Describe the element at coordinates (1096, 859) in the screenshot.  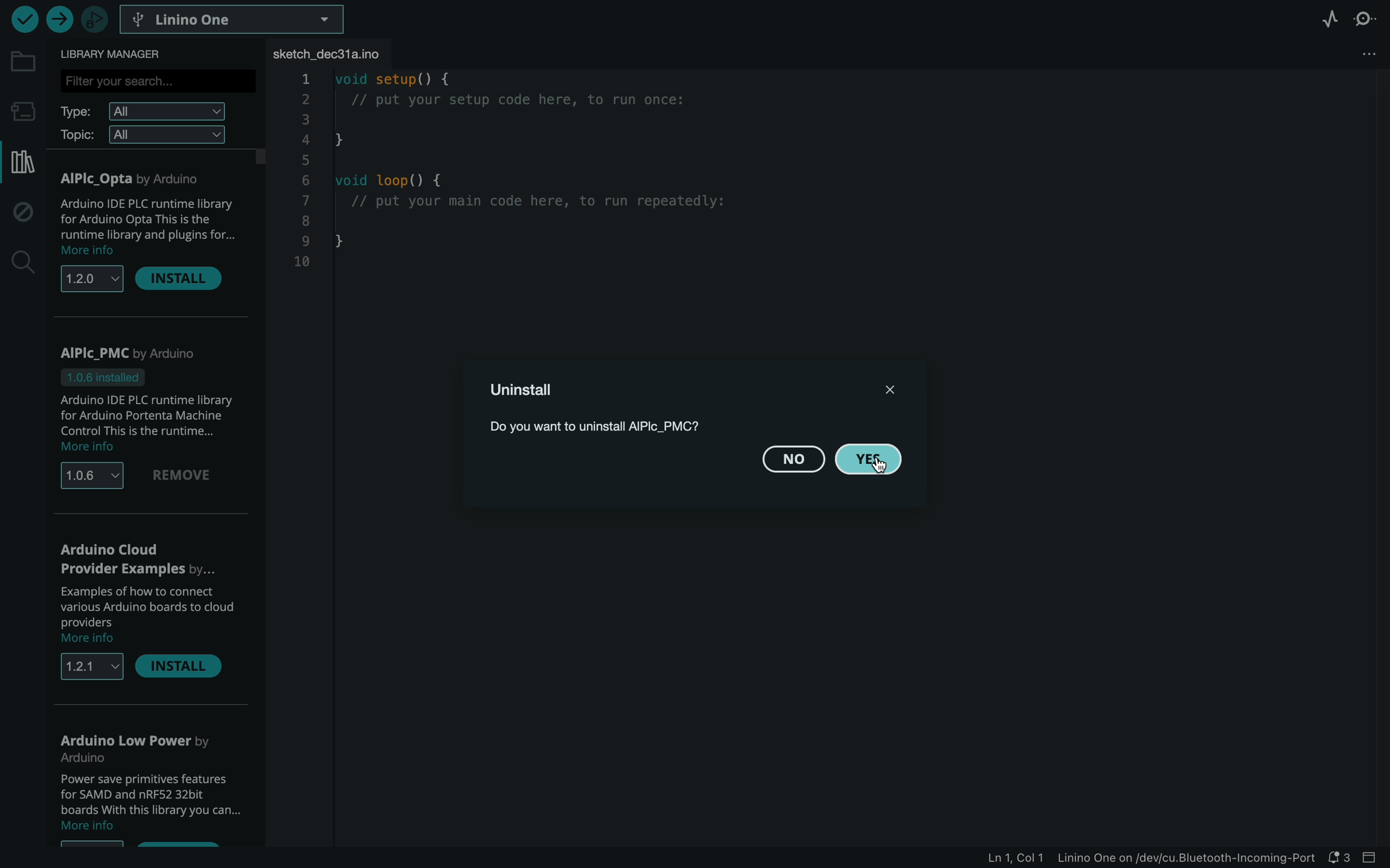
I see `file information` at that location.